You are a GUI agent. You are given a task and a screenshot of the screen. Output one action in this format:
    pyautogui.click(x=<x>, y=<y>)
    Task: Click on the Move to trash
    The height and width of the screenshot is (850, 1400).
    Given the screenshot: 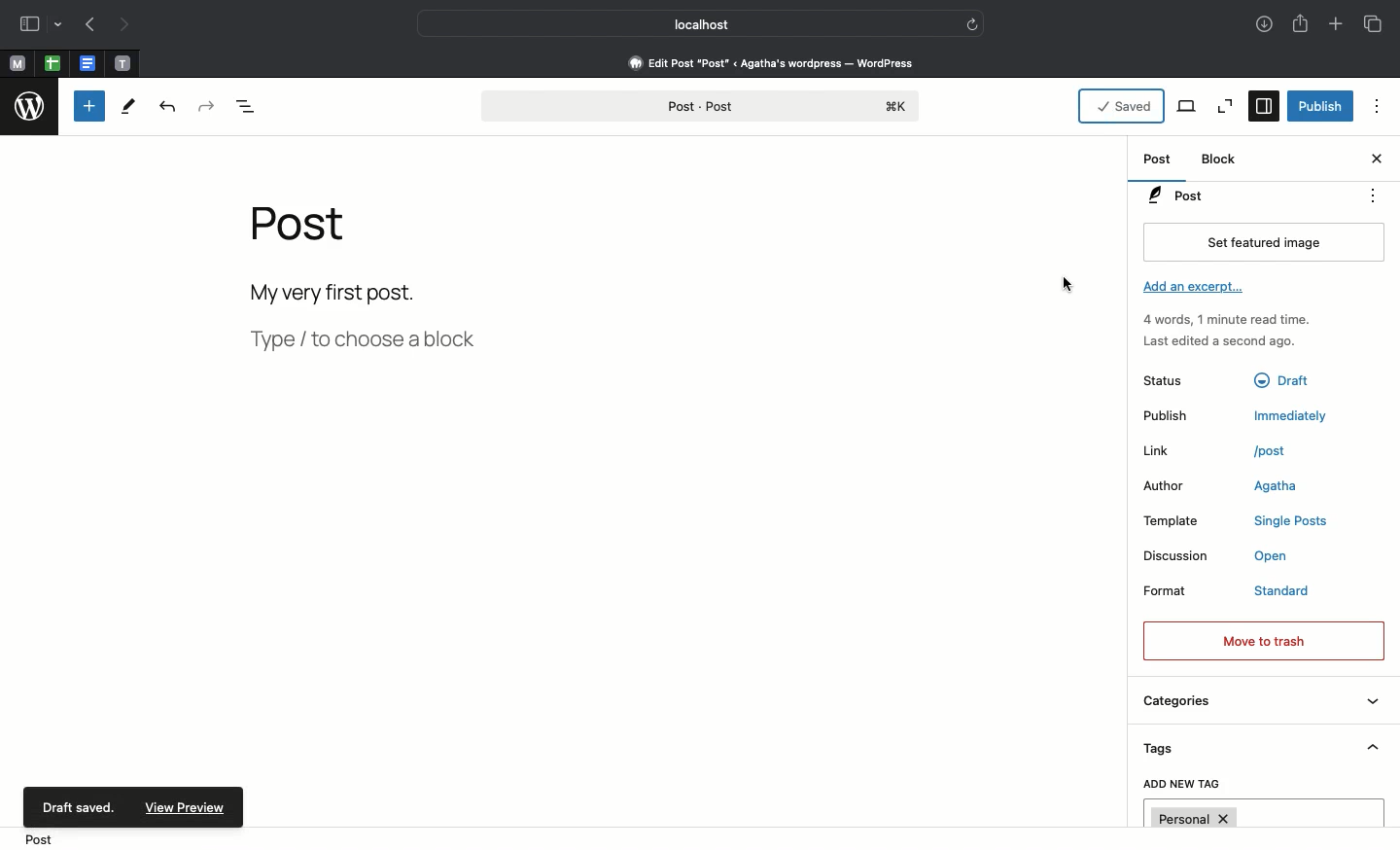 What is the action you would take?
    pyautogui.click(x=1264, y=639)
    